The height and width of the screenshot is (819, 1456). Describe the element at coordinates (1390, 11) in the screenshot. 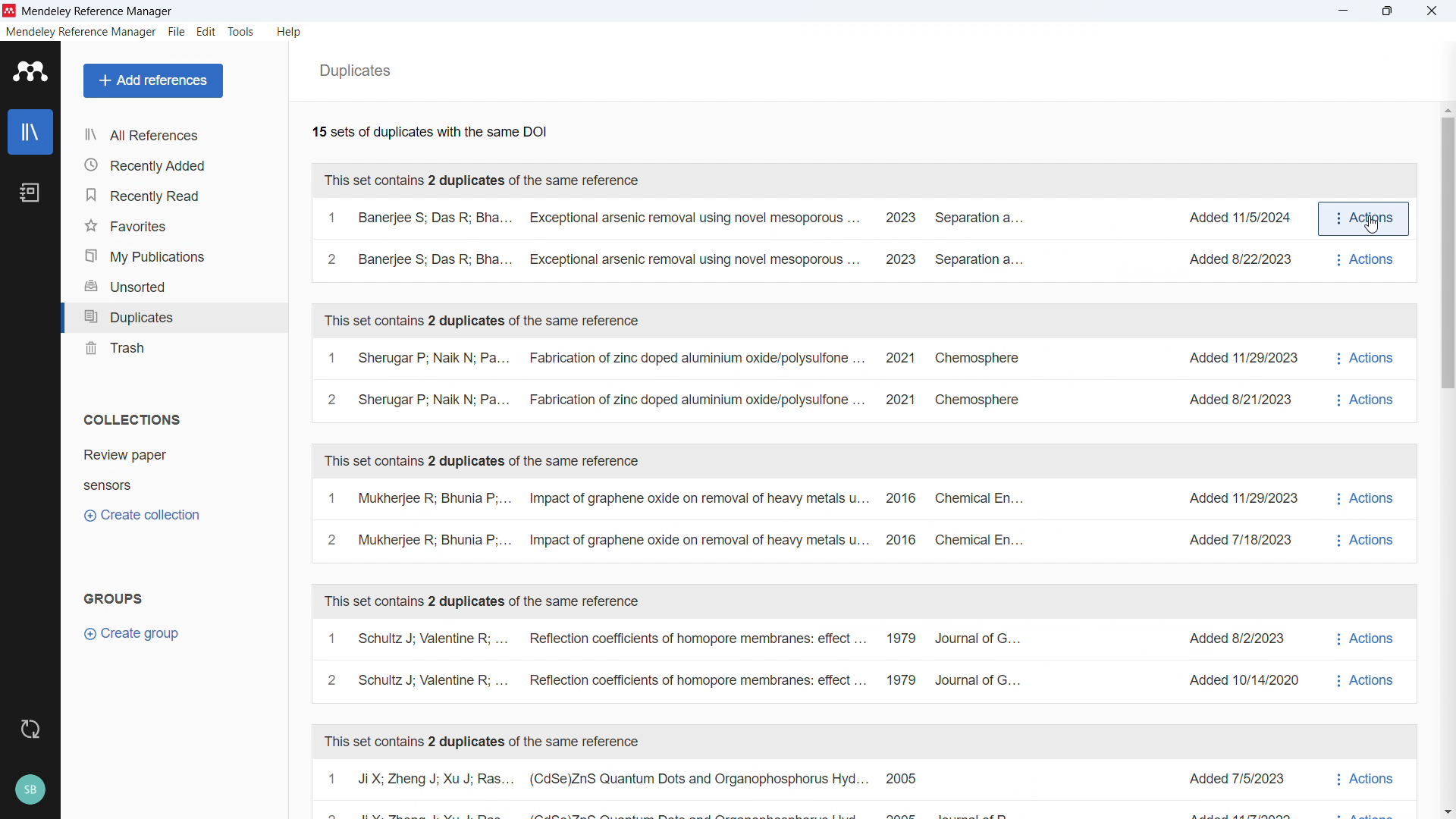

I see `maximise ` at that location.